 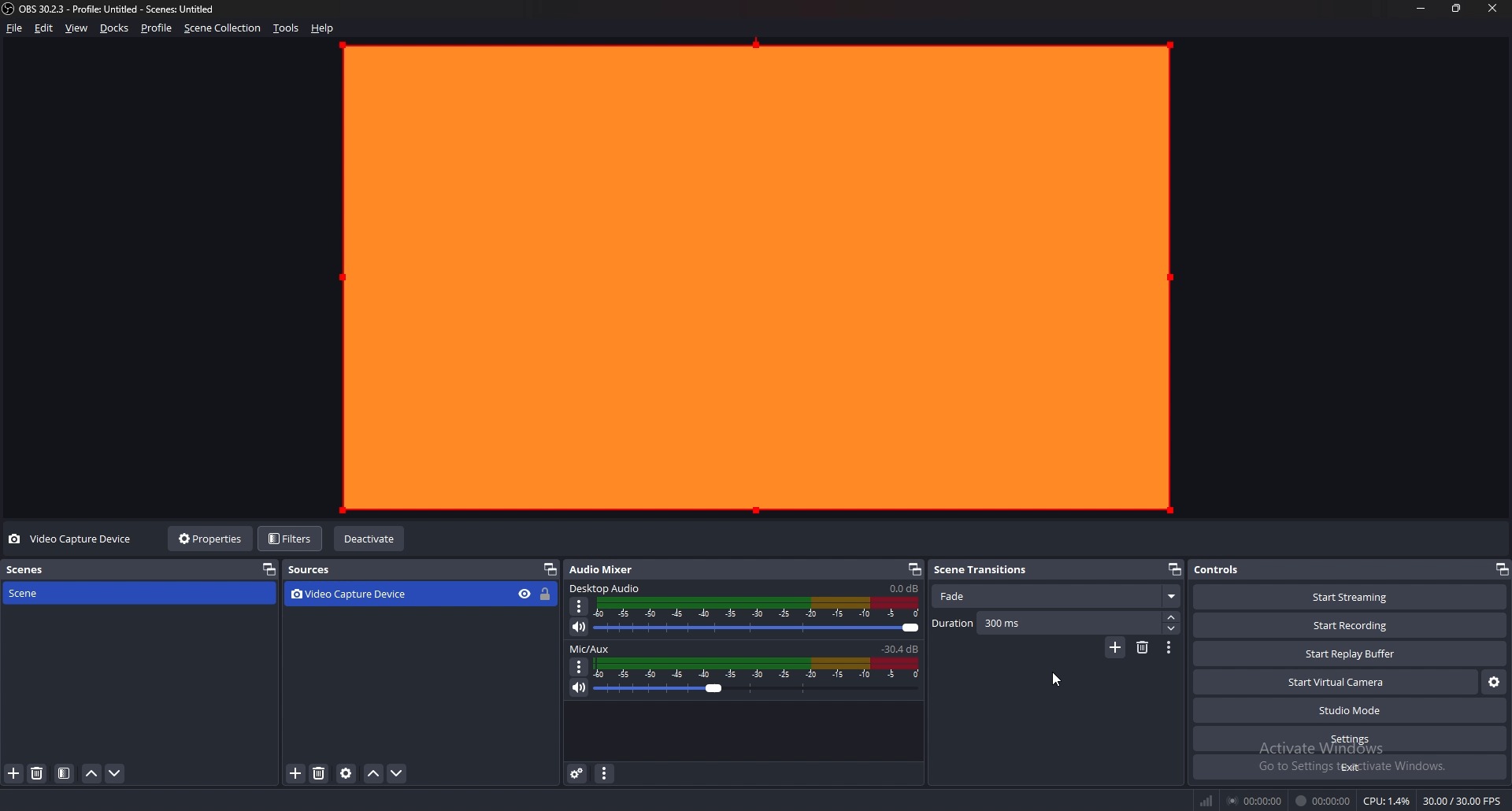 I want to click on start replay buffer, so click(x=1351, y=653).